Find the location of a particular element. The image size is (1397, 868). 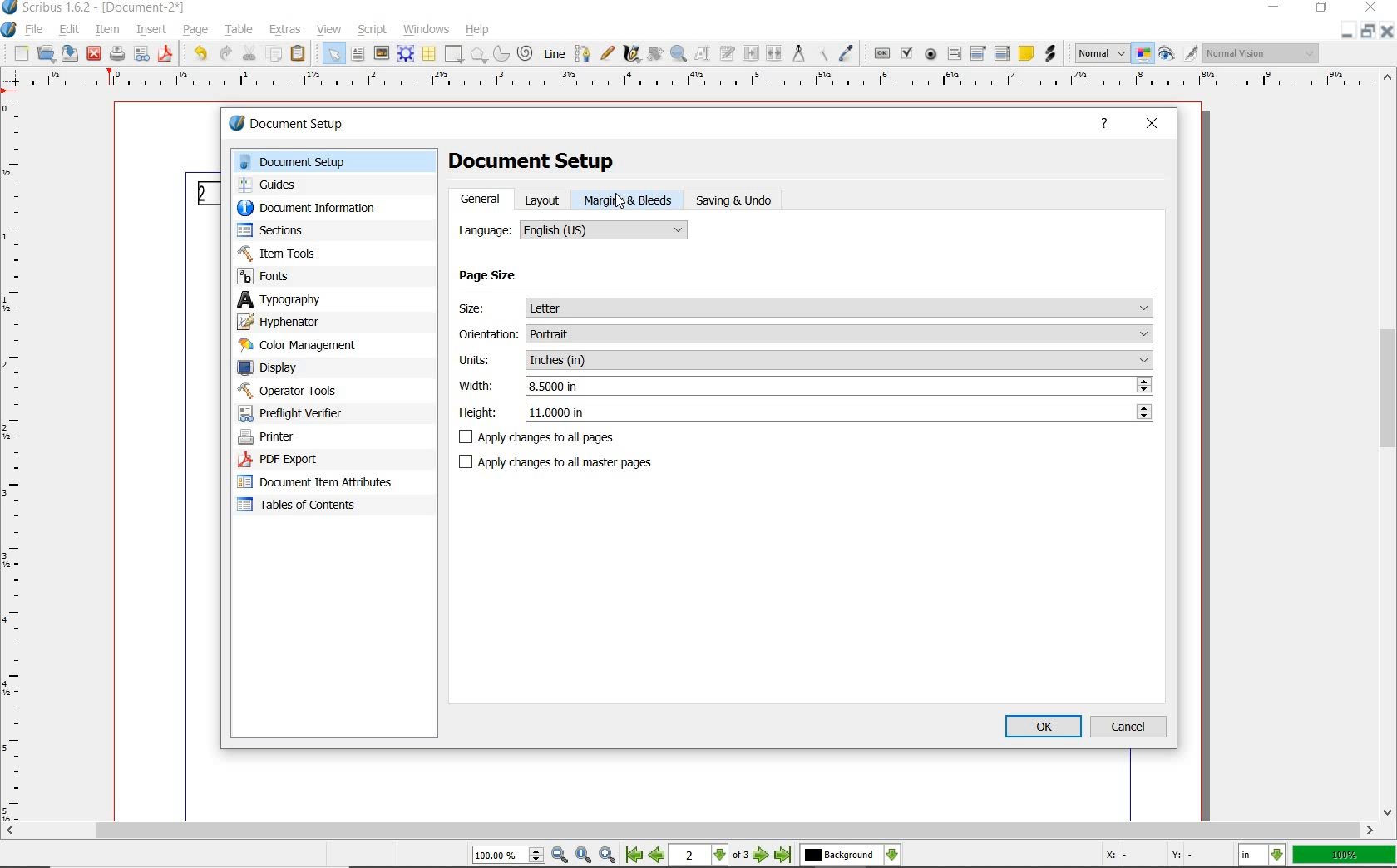

document information is located at coordinates (323, 209).